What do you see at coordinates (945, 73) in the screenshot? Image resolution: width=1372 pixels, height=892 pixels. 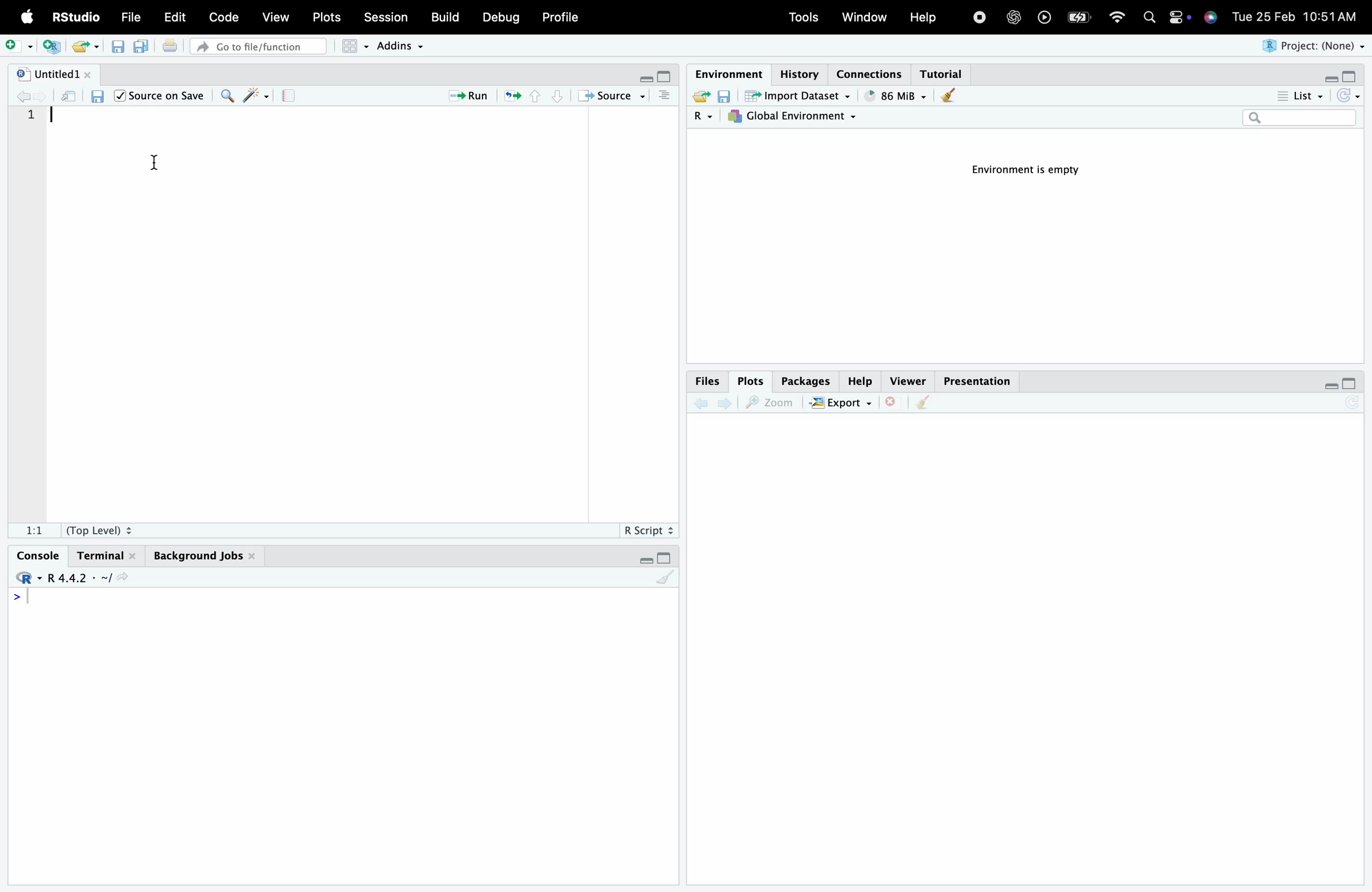 I see `Tutorial` at bounding box center [945, 73].